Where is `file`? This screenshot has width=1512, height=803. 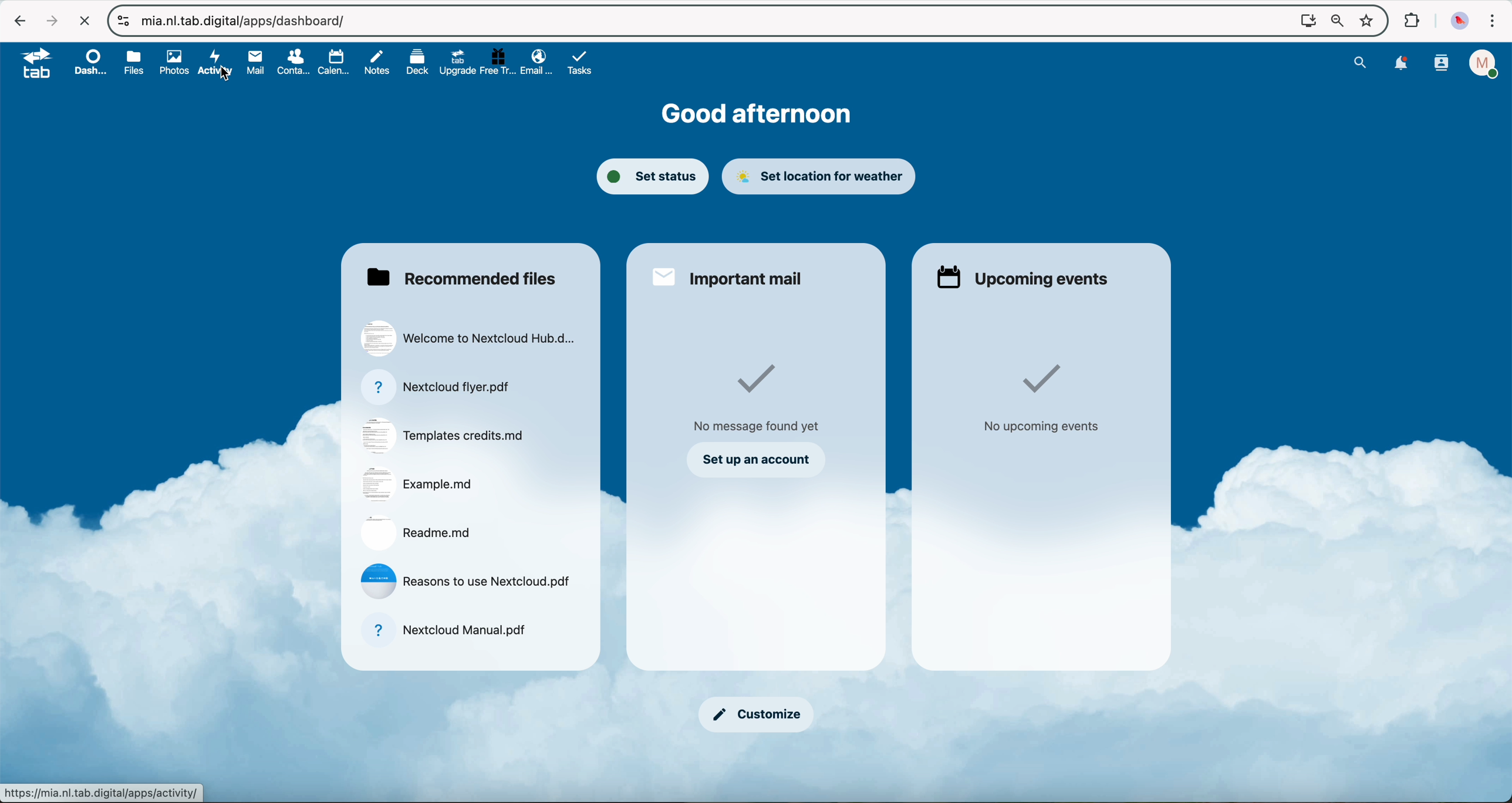
file is located at coordinates (419, 531).